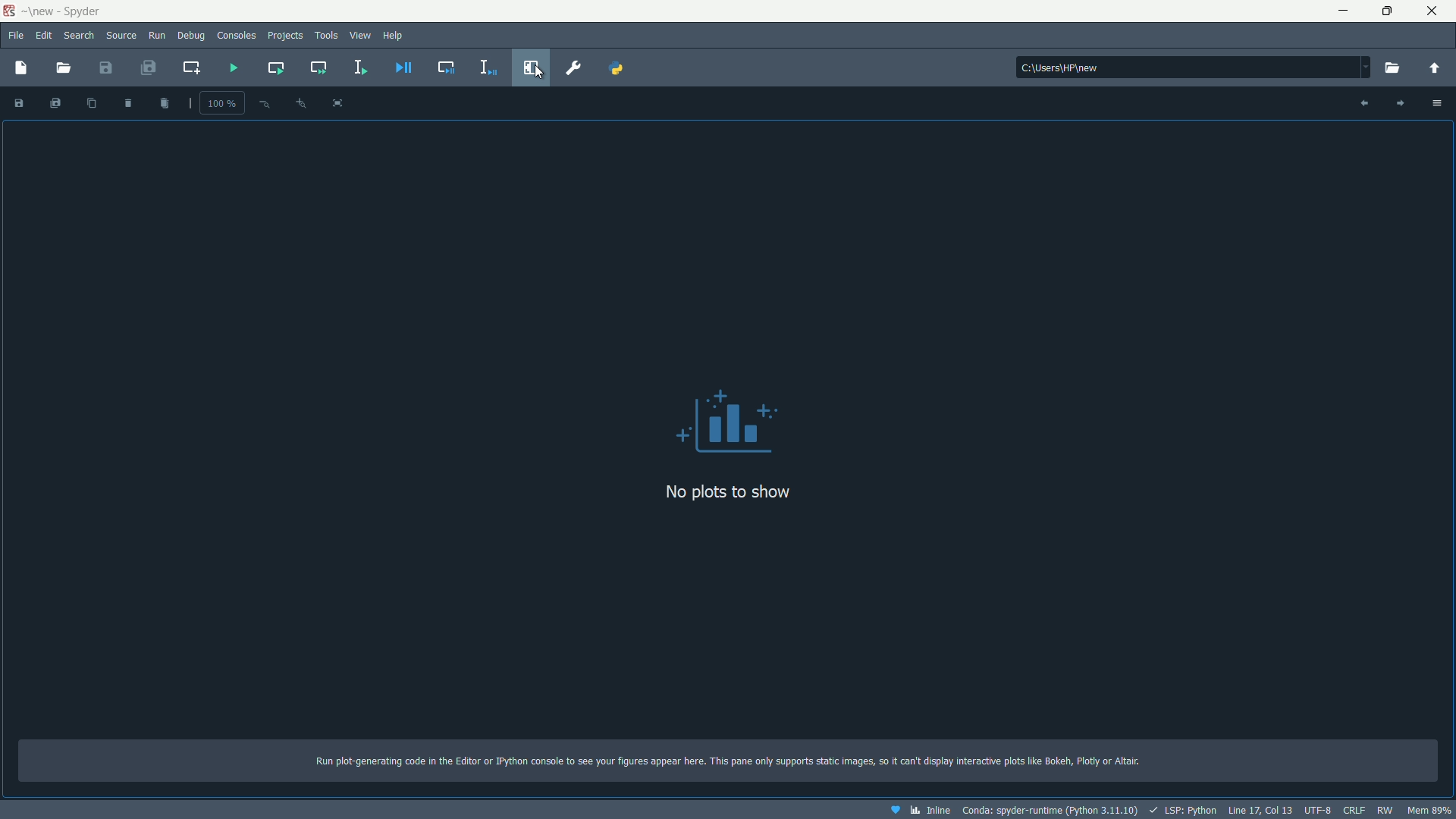  Describe the element at coordinates (615, 67) in the screenshot. I see `python path manager` at that location.